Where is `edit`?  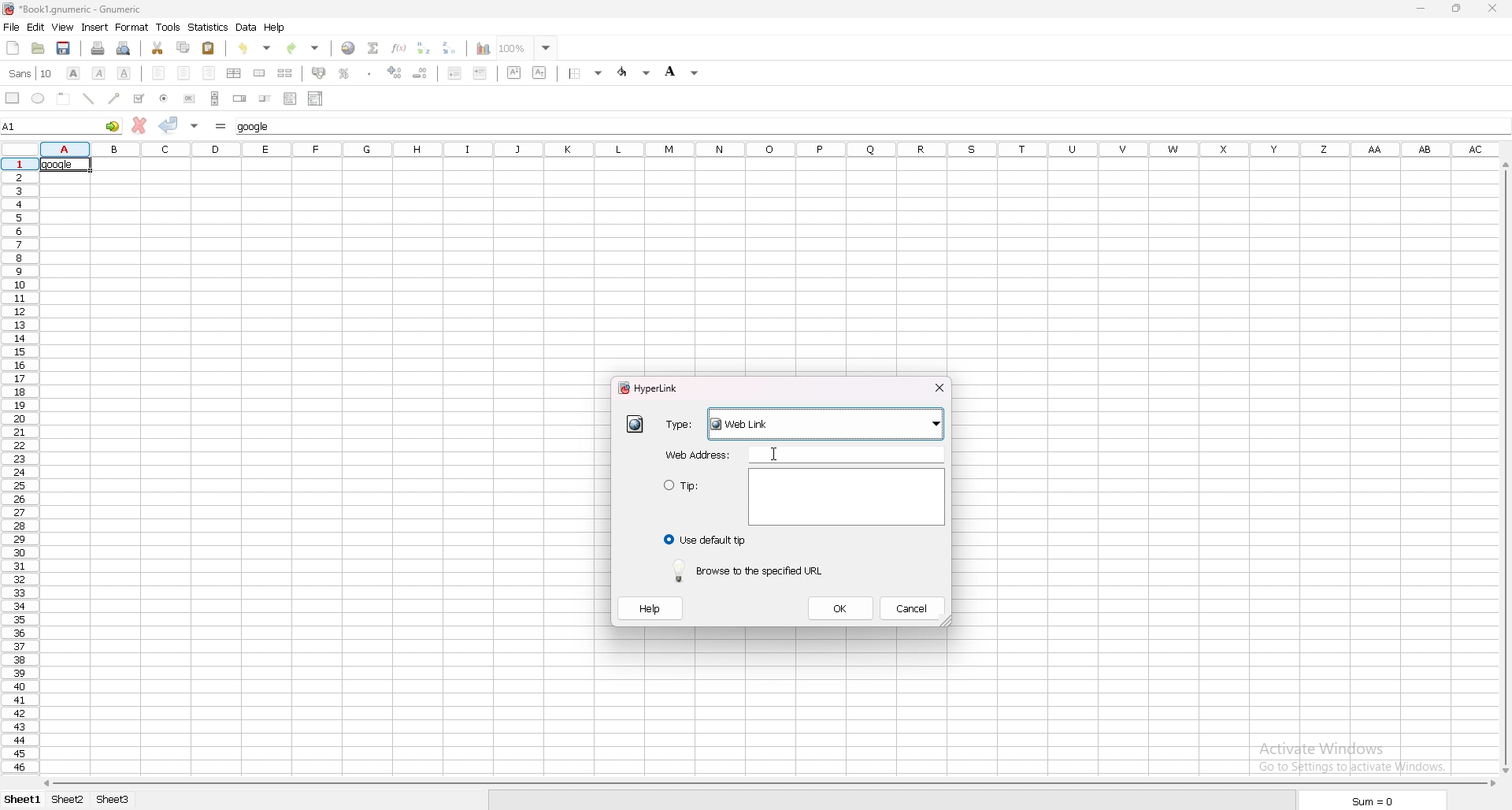 edit is located at coordinates (36, 28).